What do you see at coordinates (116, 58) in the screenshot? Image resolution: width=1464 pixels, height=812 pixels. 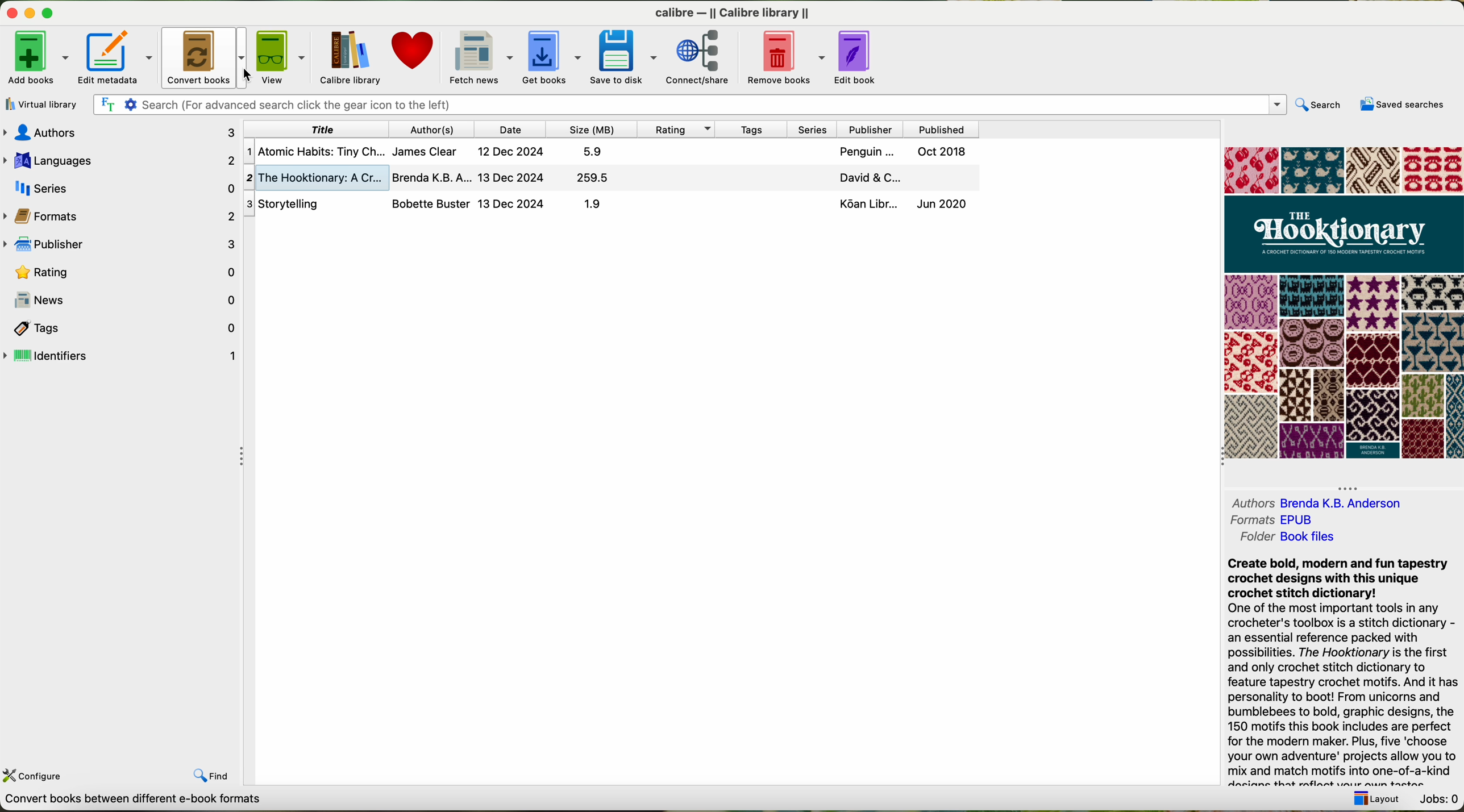 I see `edit metadata` at bounding box center [116, 58].